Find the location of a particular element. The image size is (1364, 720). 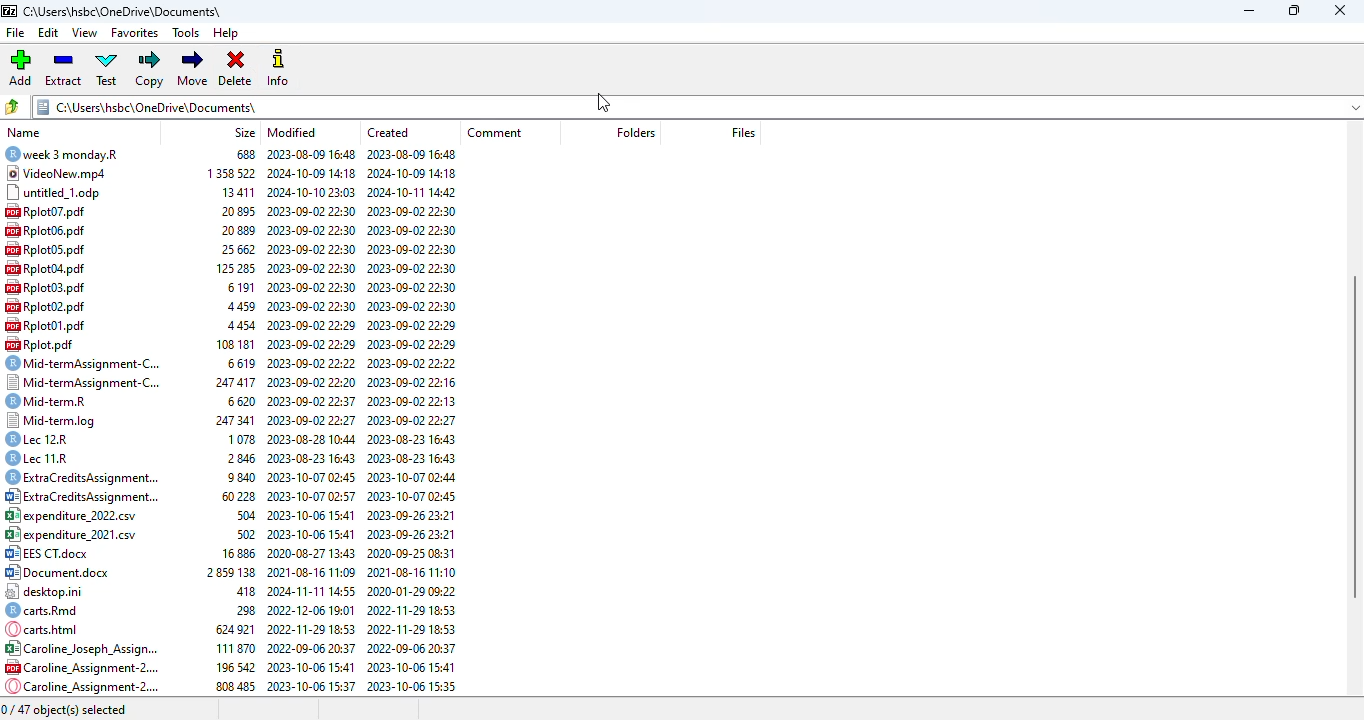

2023-09-02 22:30 is located at coordinates (413, 211).